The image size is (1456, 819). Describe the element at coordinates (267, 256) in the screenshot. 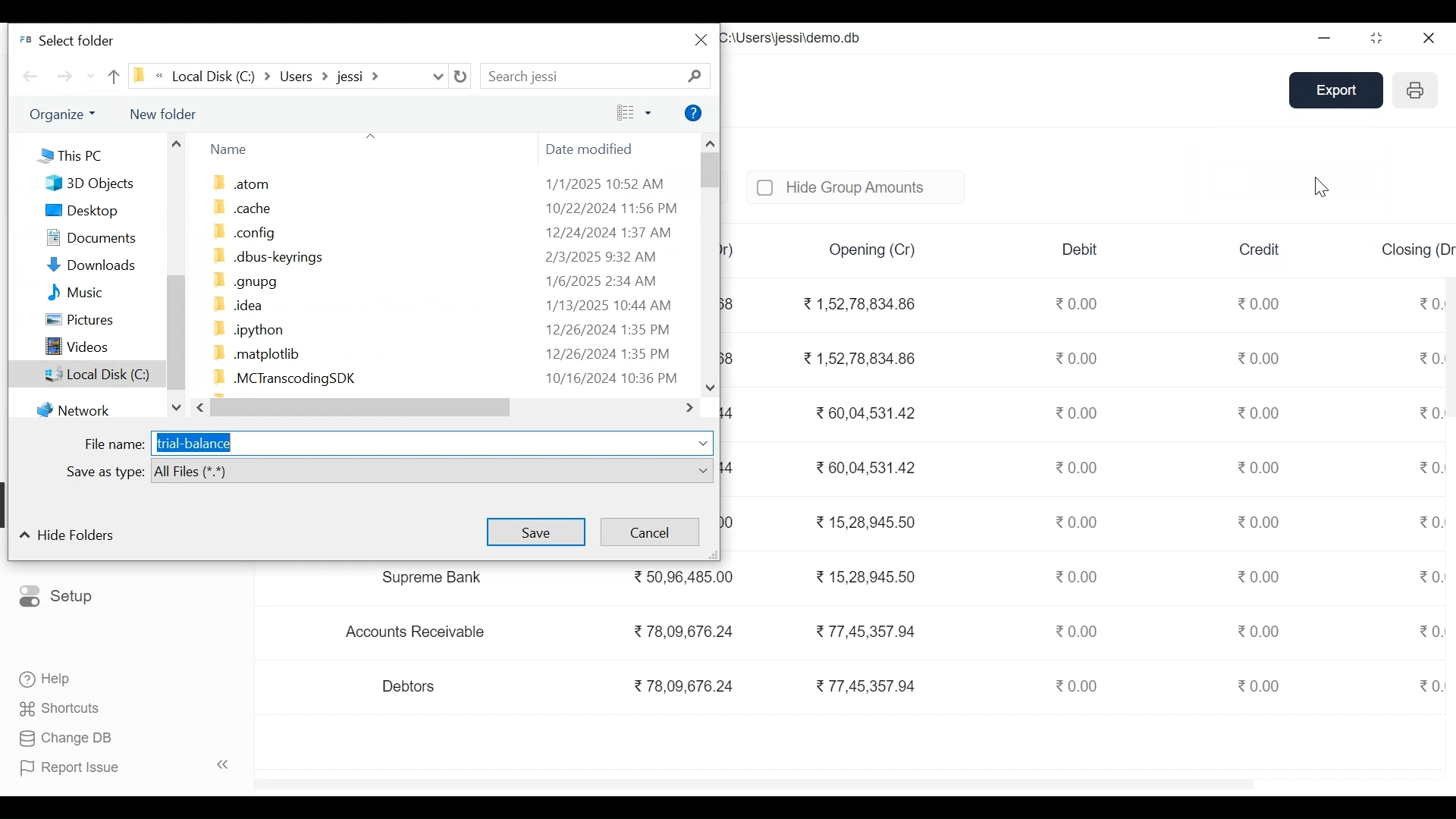

I see `.dbus-keyrings` at that location.